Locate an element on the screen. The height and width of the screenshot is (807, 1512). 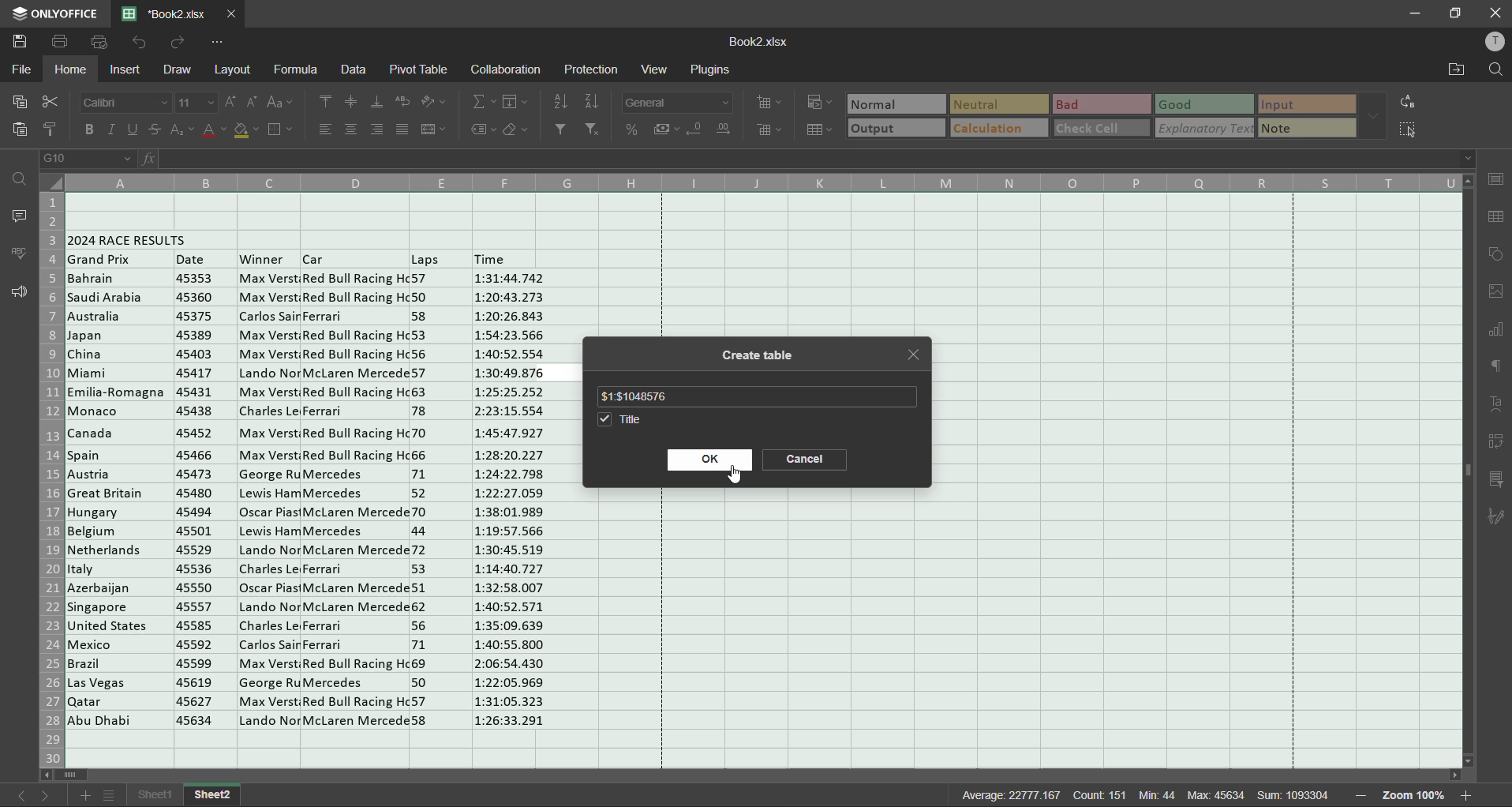
draw is located at coordinates (178, 72).